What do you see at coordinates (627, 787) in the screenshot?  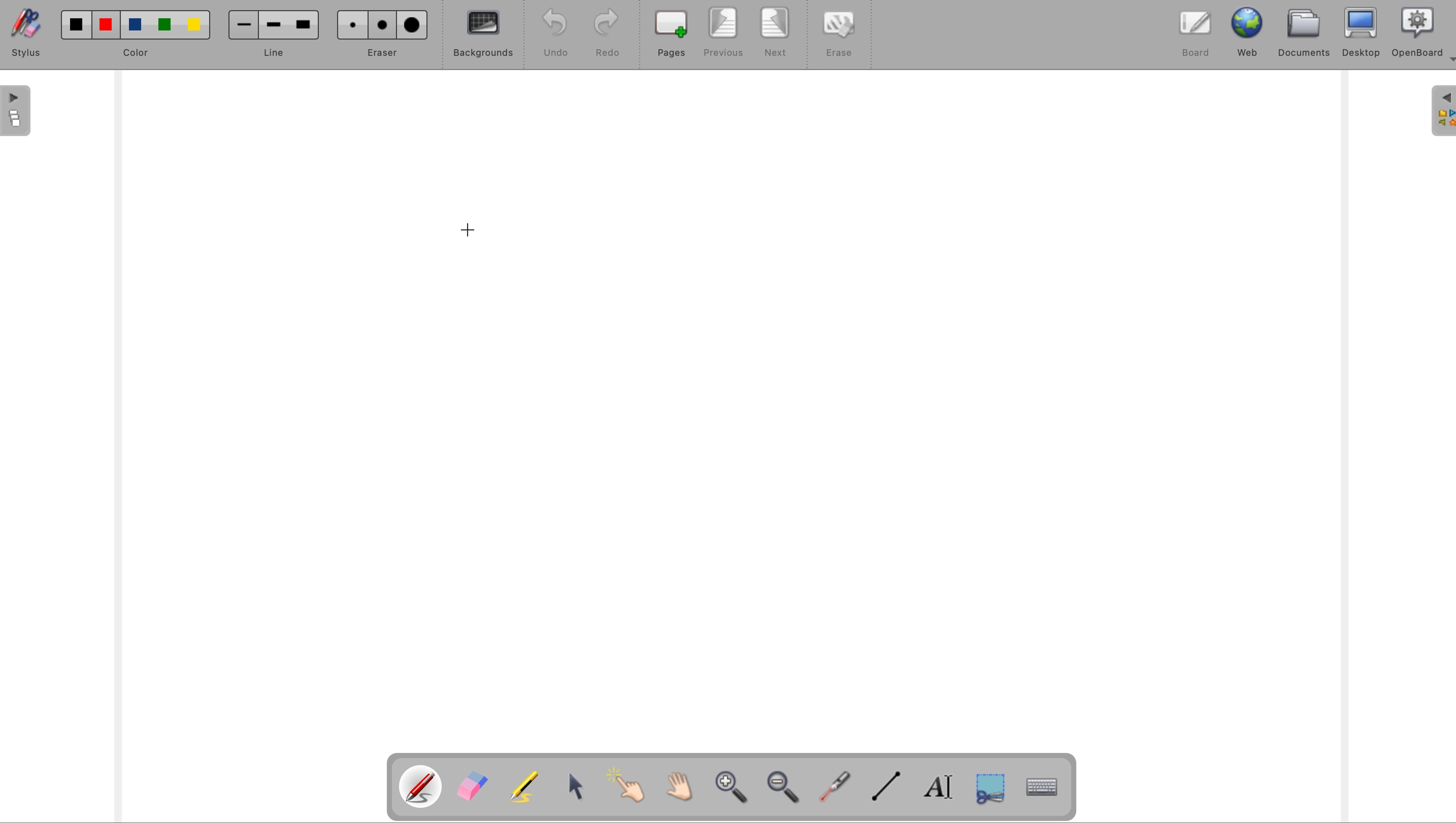 I see `interact with items` at bounding box center [627, 787].